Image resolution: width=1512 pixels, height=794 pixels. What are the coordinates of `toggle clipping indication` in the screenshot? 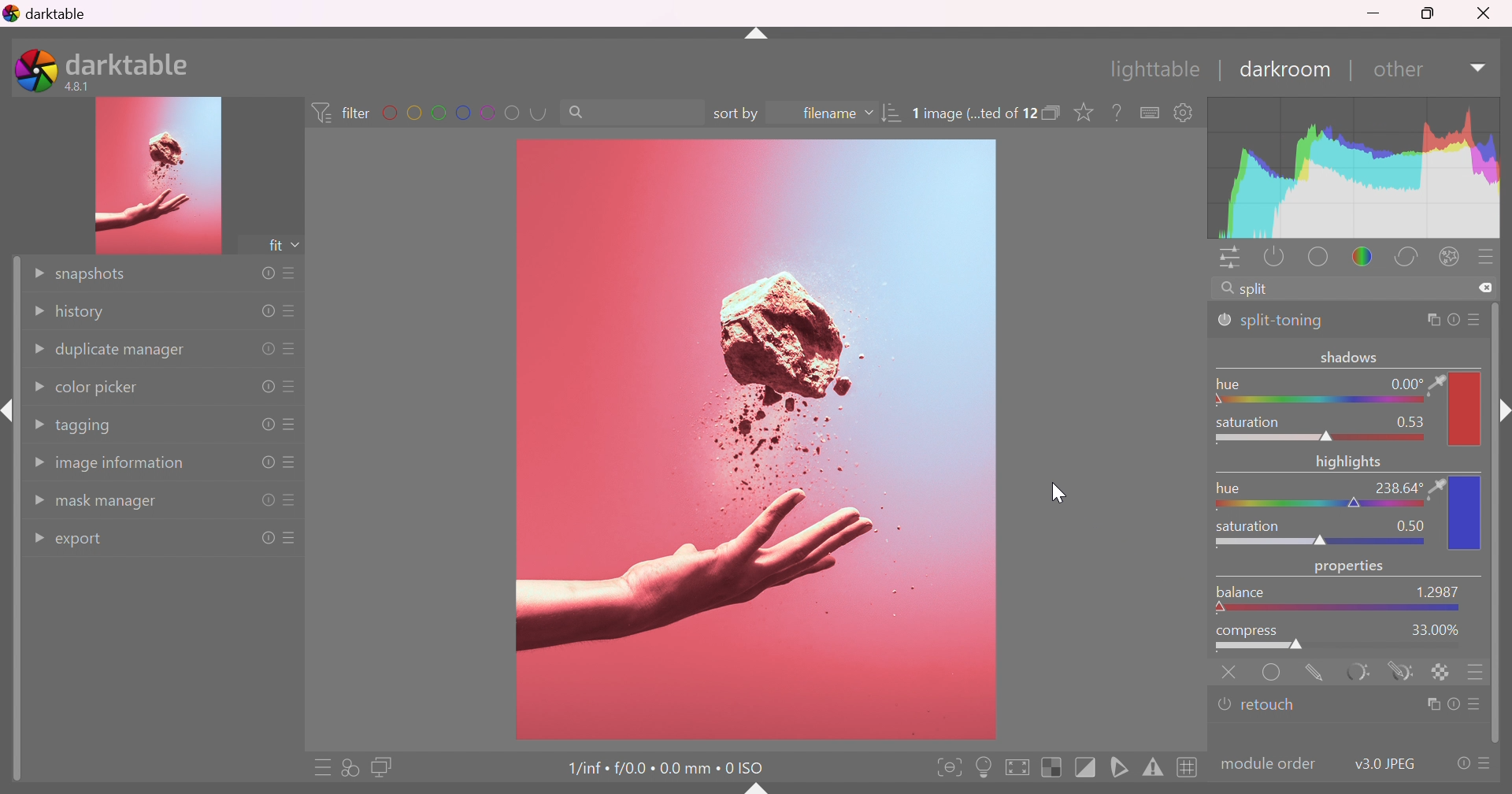 It's located at (1086, 768).